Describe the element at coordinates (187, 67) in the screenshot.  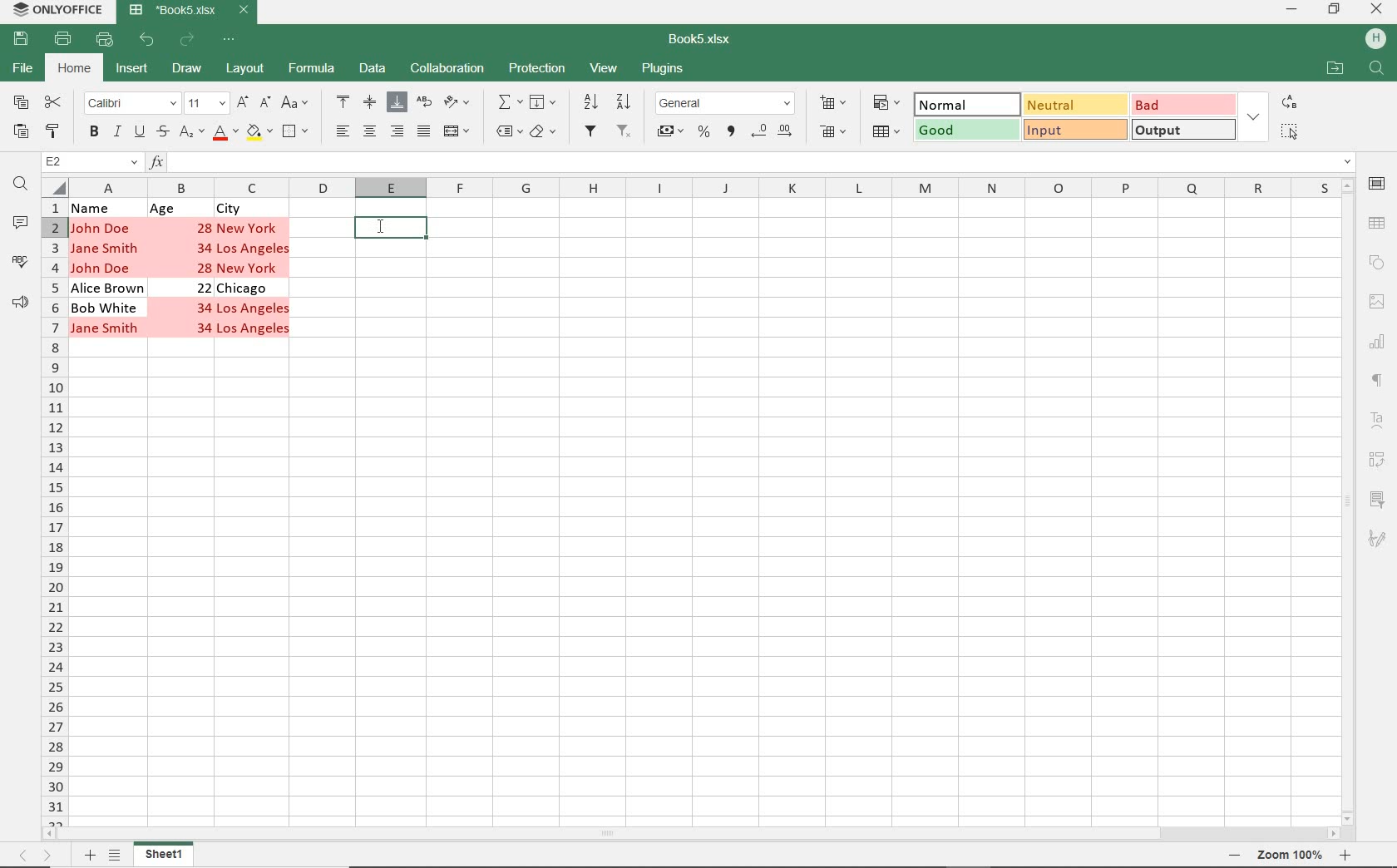
I see `DRAW` at that location.